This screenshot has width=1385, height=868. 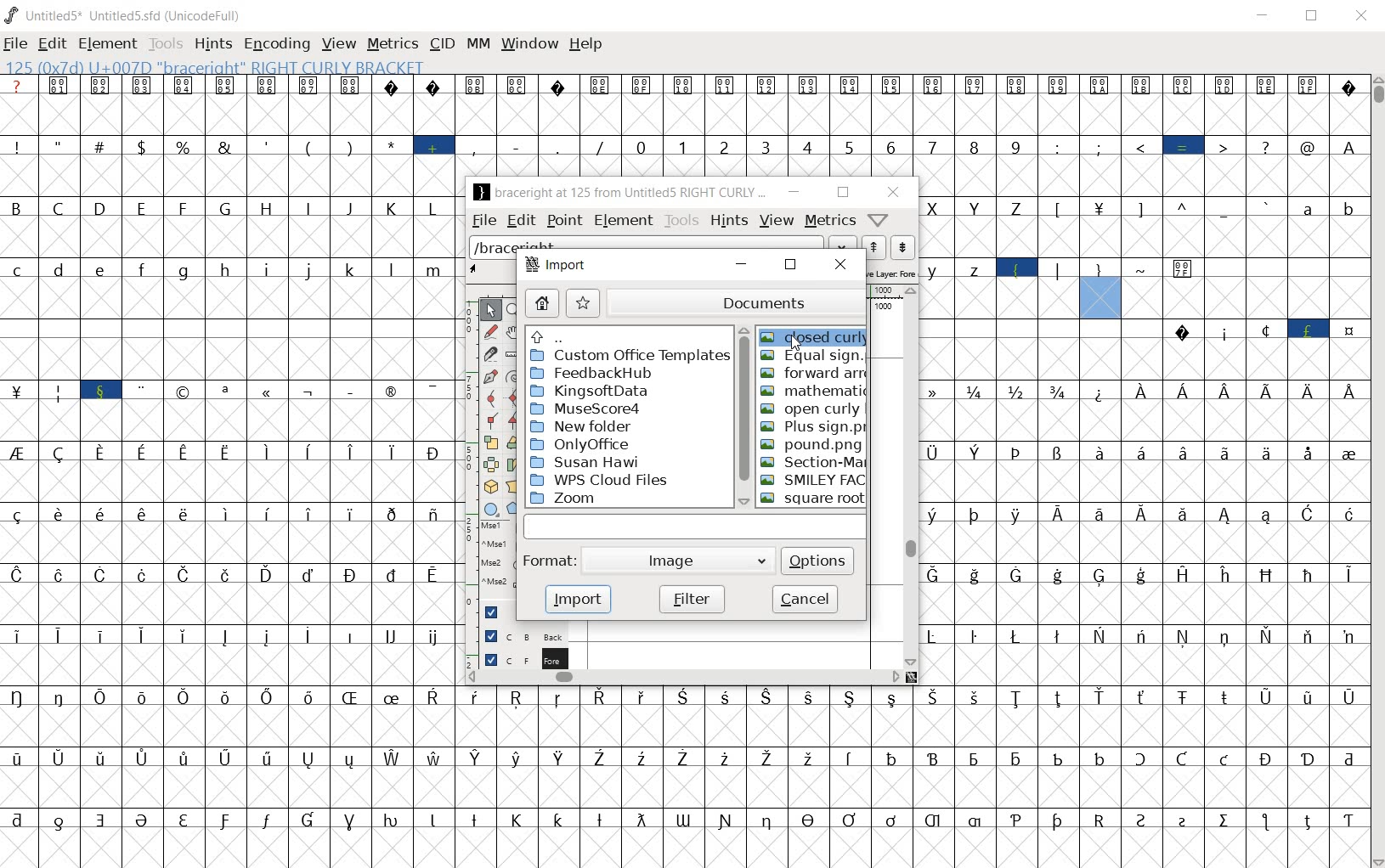 What do you see at coordinates (913, 476) in the screenshot?
I see `scrollbar` at bounding box center [913, 476].